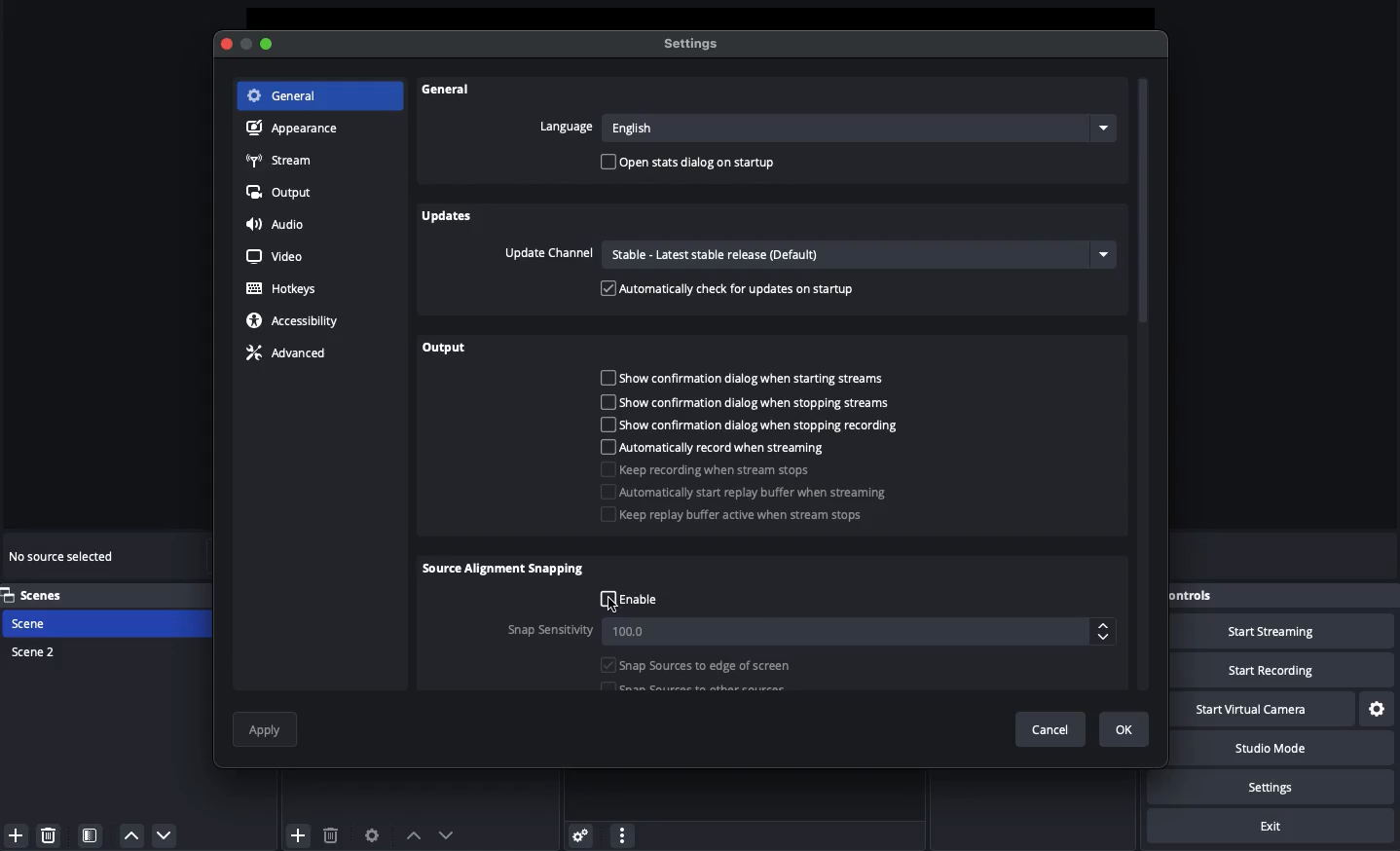 The height and width of the screenshot is (851, 1400). I want to click on Add, so click(298, 833).